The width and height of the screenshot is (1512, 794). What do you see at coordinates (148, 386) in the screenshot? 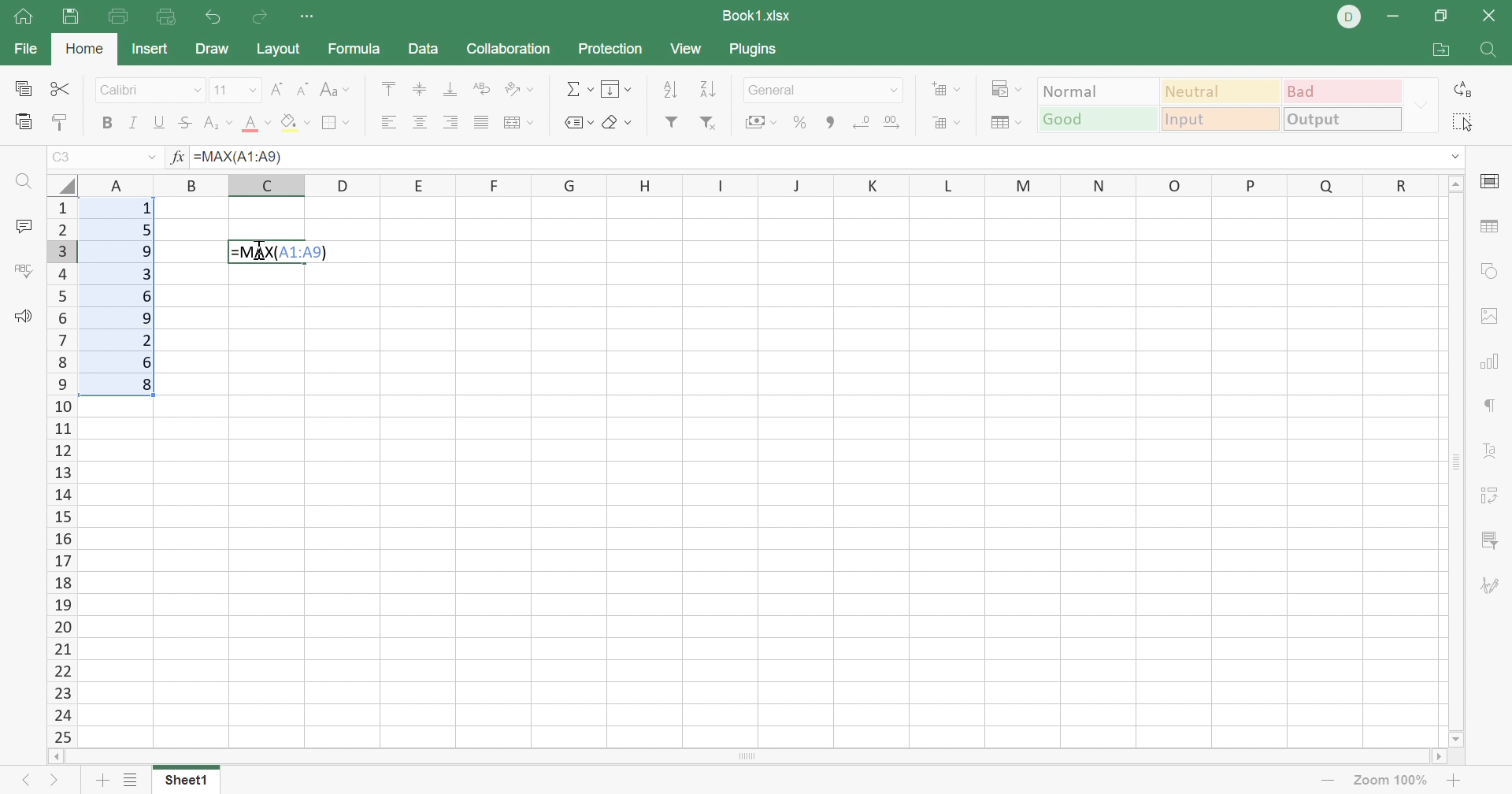
I see `8` at bounding box center [148, 386].